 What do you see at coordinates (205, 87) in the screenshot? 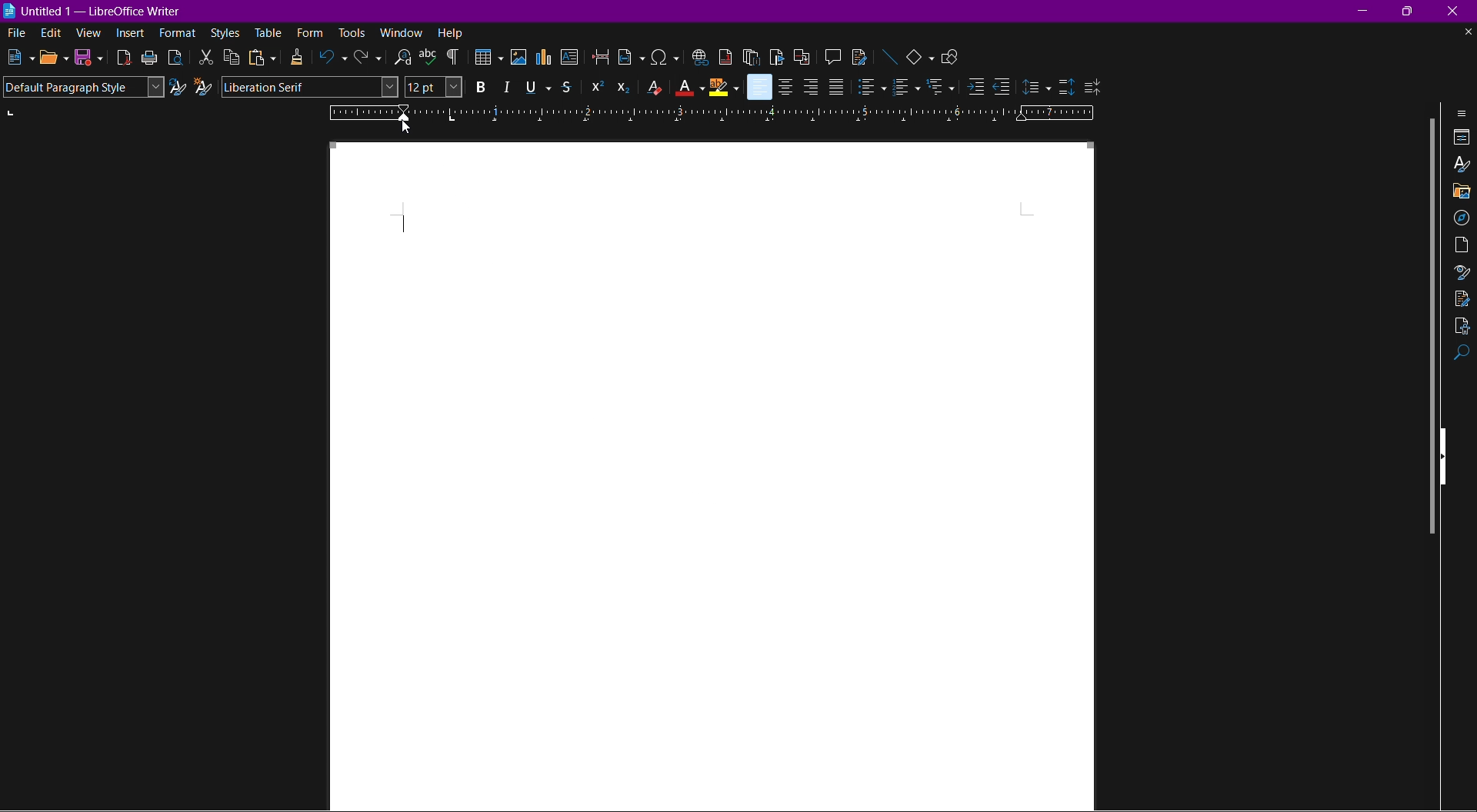
I see `New Style` at bounding box center [205, 87].